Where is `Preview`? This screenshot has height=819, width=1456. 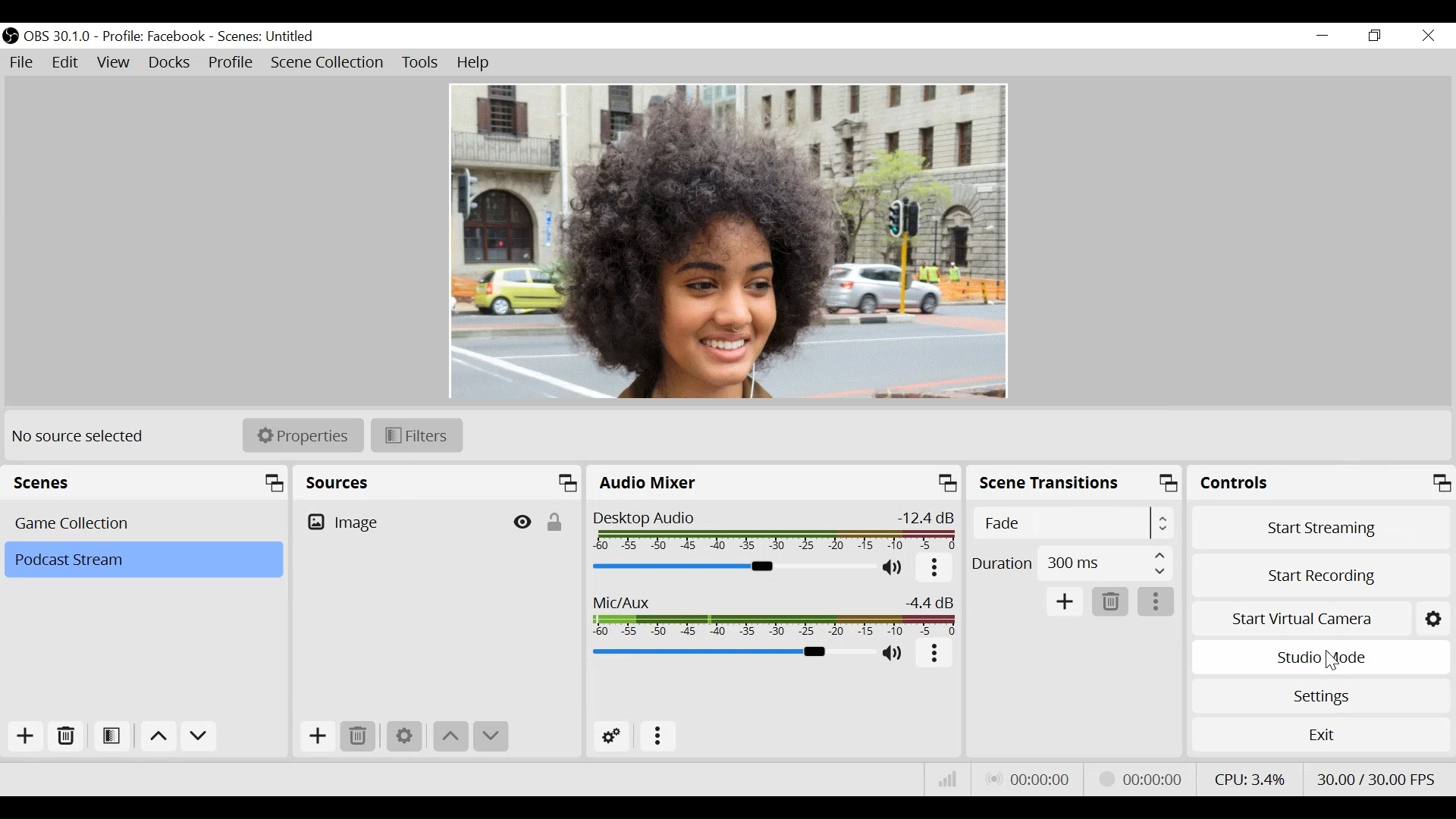
Preview is located at coordinates (726, 240).